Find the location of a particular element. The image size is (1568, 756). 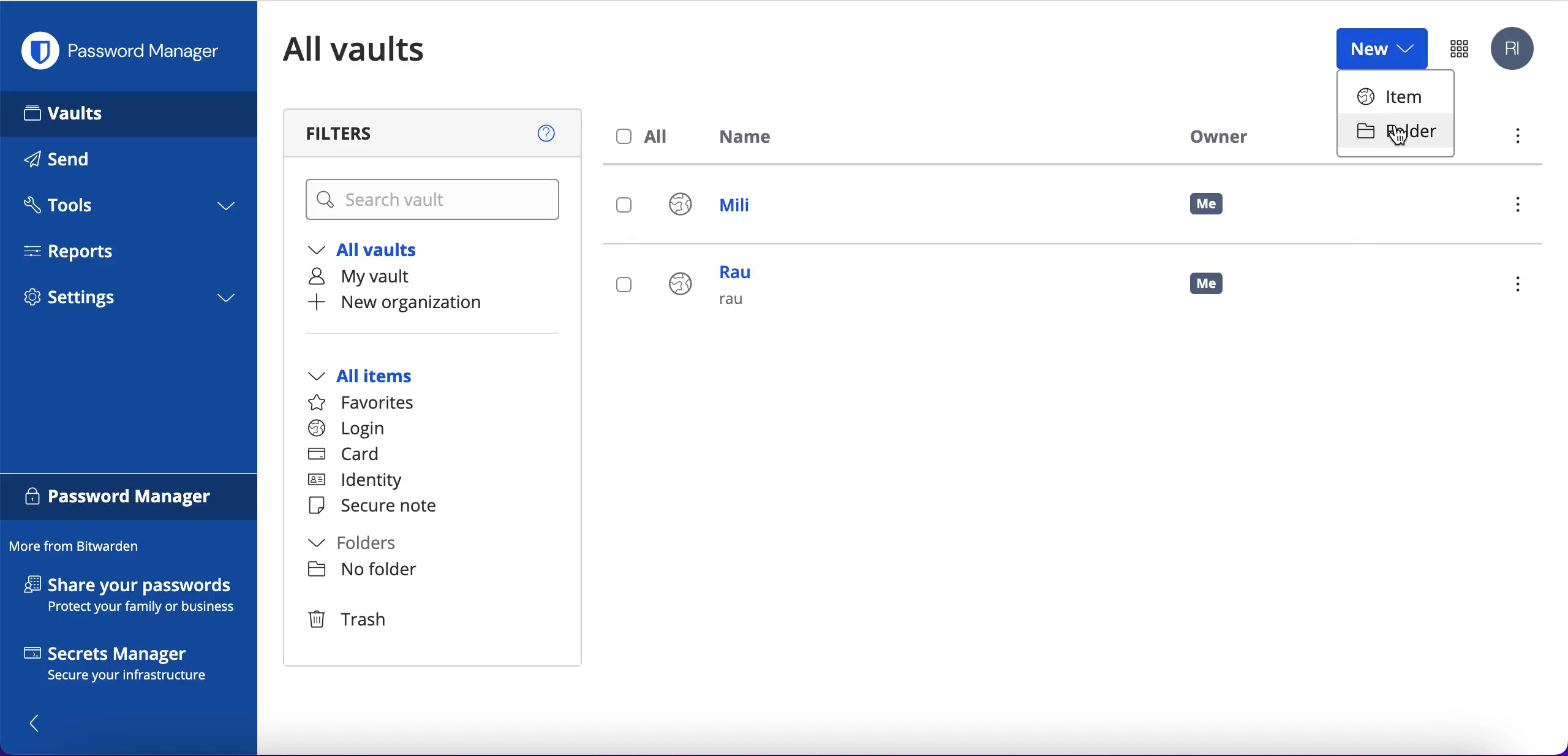

me is located at coordinates (1208, 205).